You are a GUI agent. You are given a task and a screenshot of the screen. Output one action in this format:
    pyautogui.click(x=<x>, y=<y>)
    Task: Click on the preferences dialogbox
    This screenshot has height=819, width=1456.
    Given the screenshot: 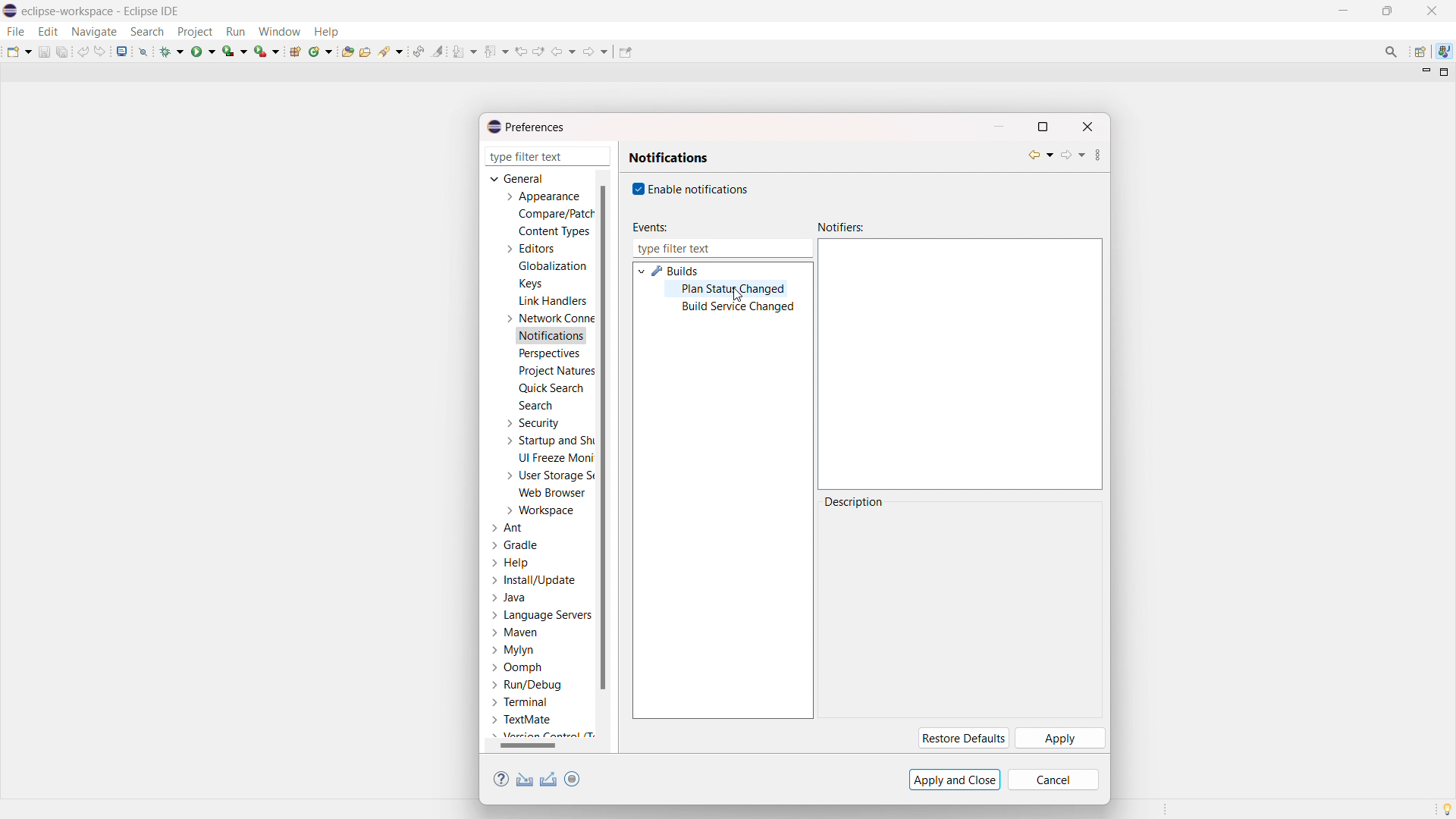 What is the action you would take?
    pyautogui.click(x=525, y=127)
    